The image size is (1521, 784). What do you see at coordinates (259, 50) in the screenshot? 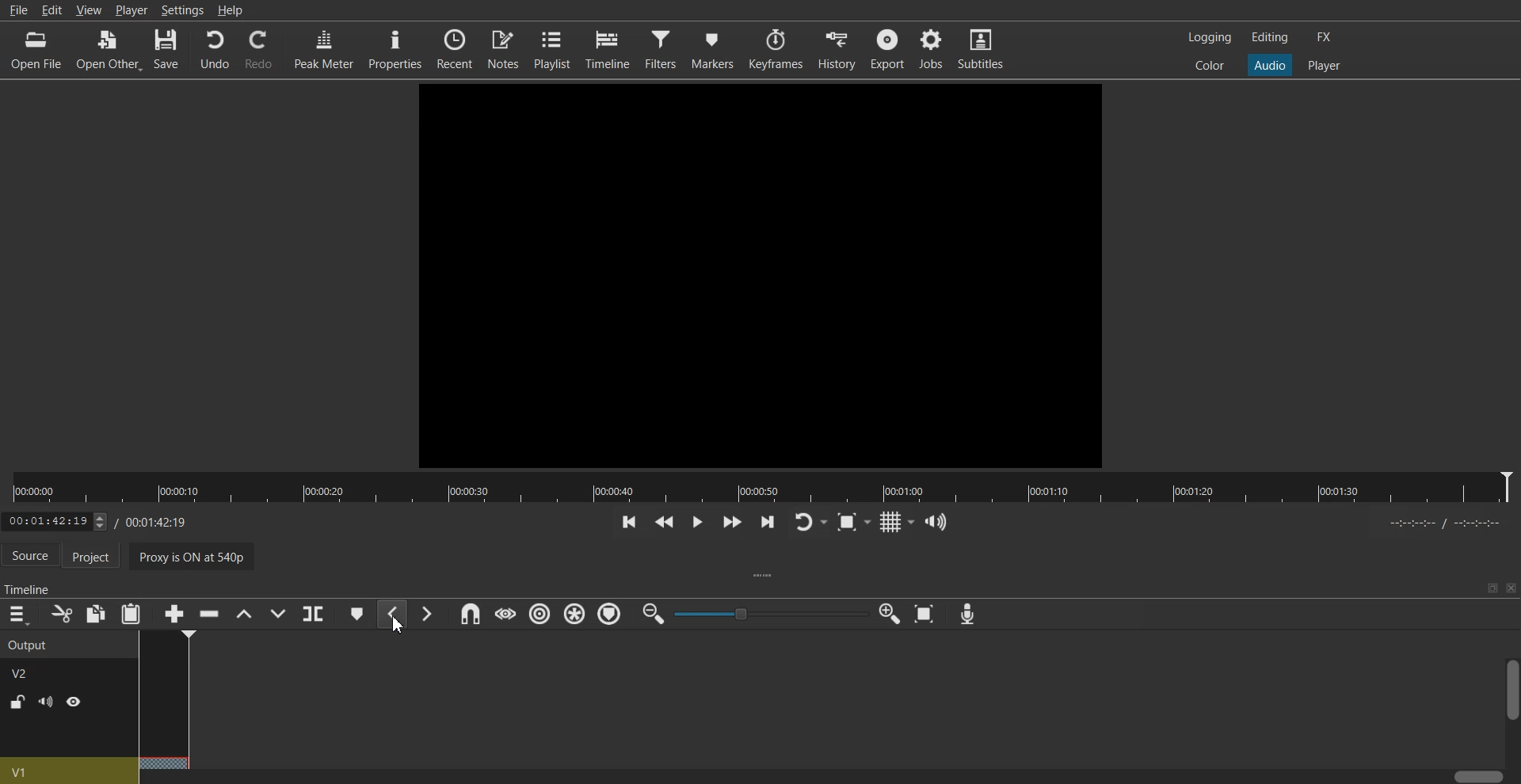
I see `Redo` at bounding box center [259, 50].